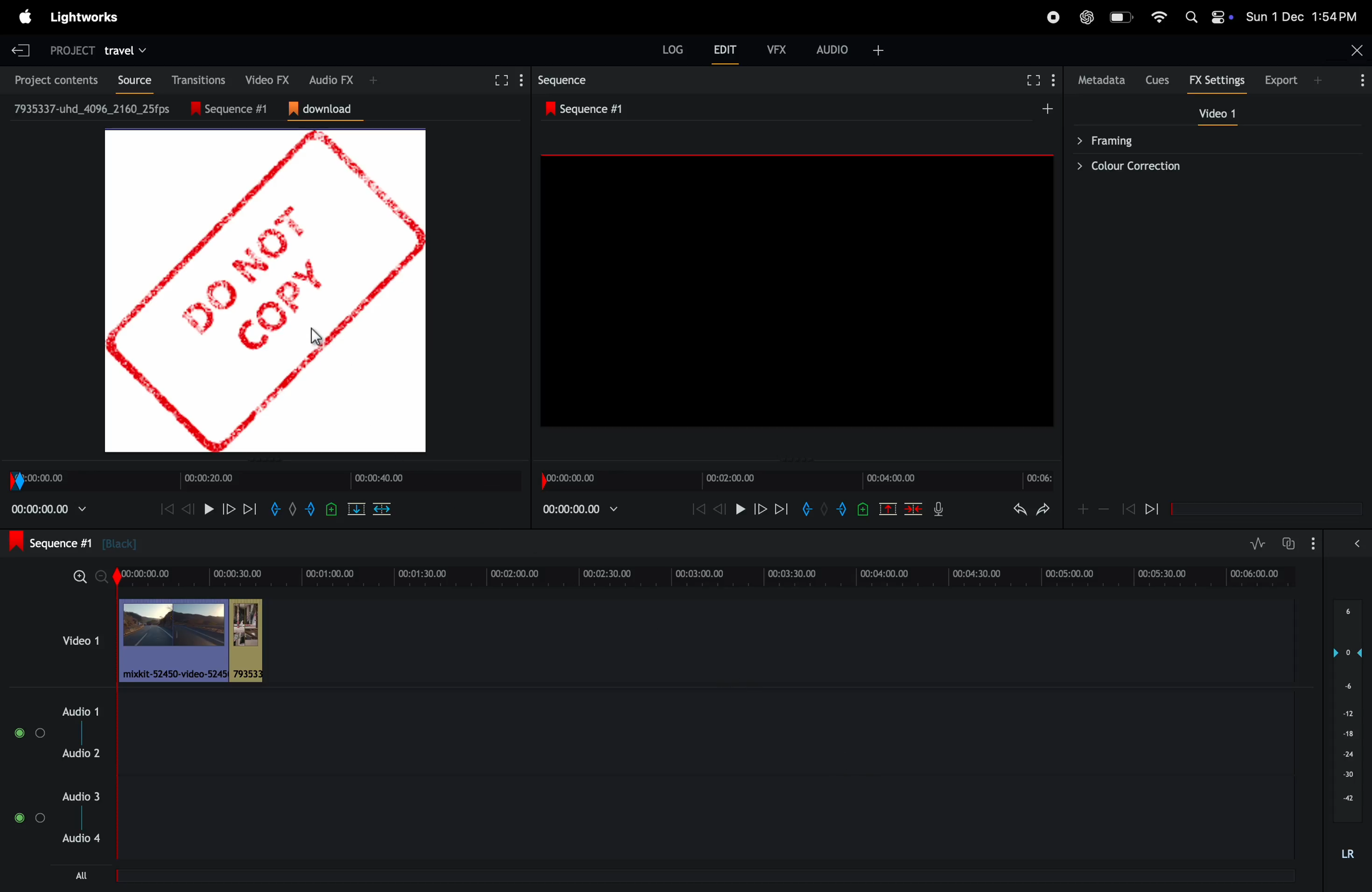 Image resolution: width=1372 pixels, height=892 pixels. Describe the element at coordinates (265, 291) in the screenshot. I see `Watermark` at that location.